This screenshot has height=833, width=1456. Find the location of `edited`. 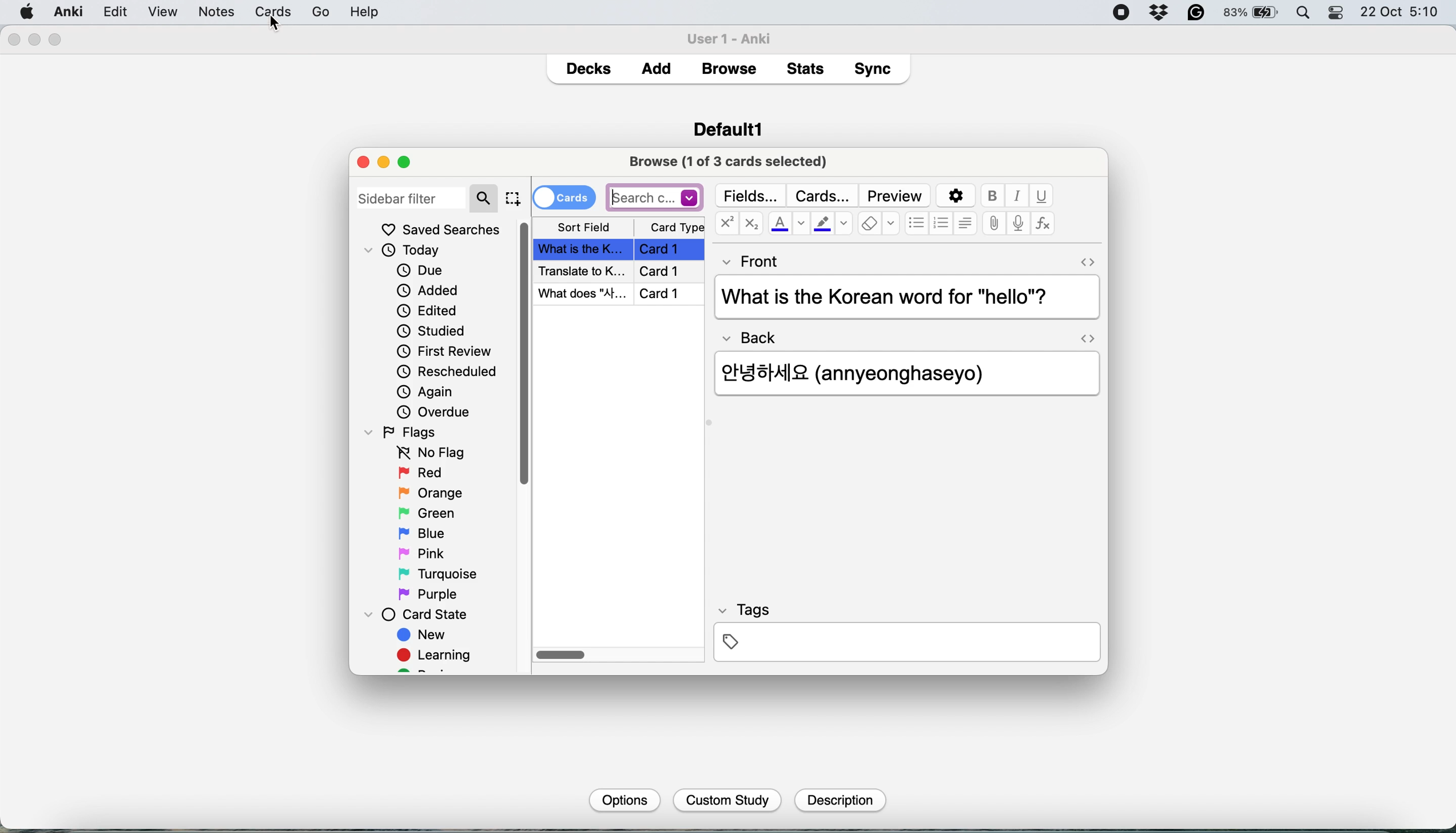

edited is located at coordinates (428, 311).